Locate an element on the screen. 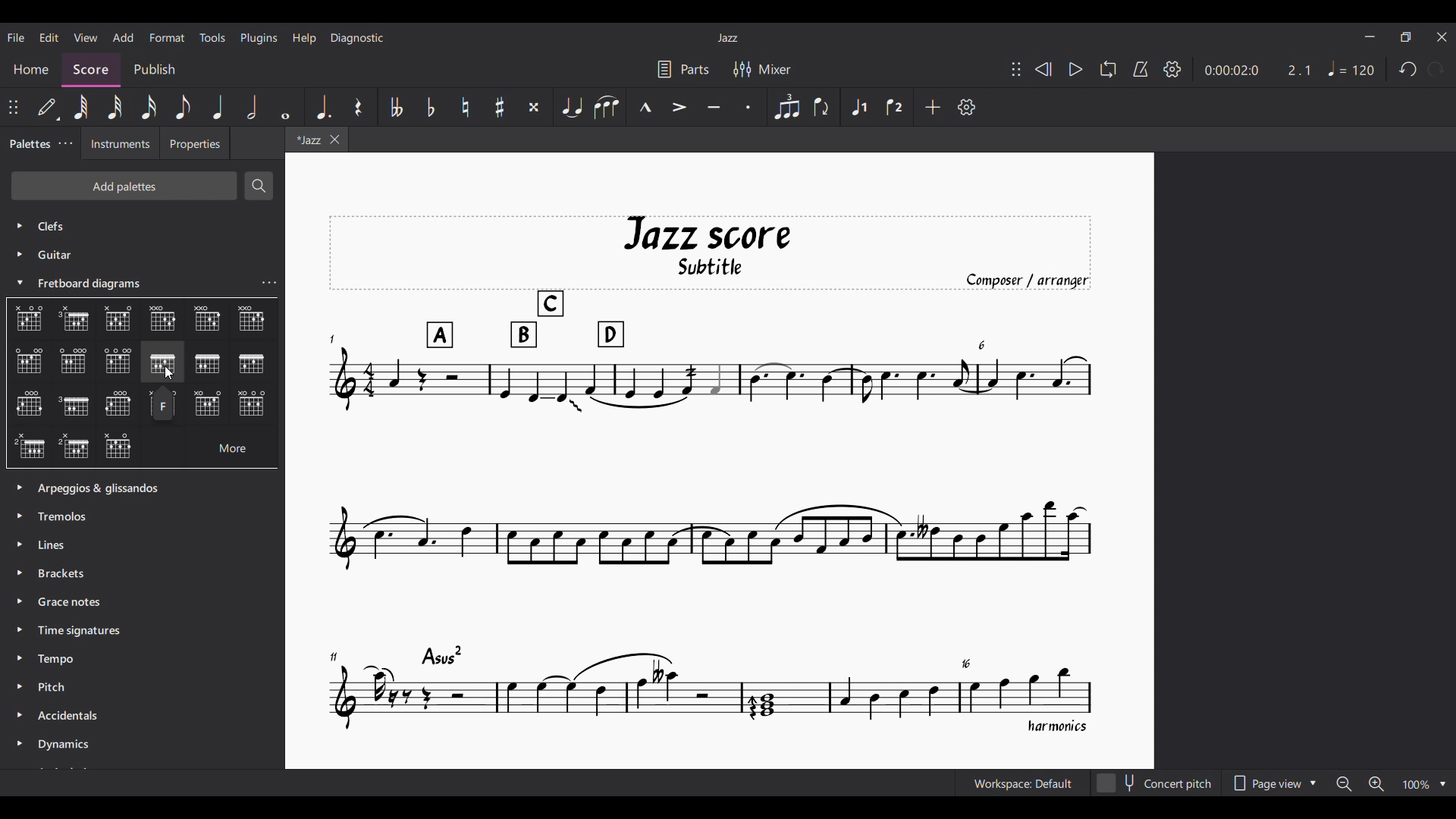 The width and height of the screenshot is (1456, 819). Default is located at coordinates (47, 107).